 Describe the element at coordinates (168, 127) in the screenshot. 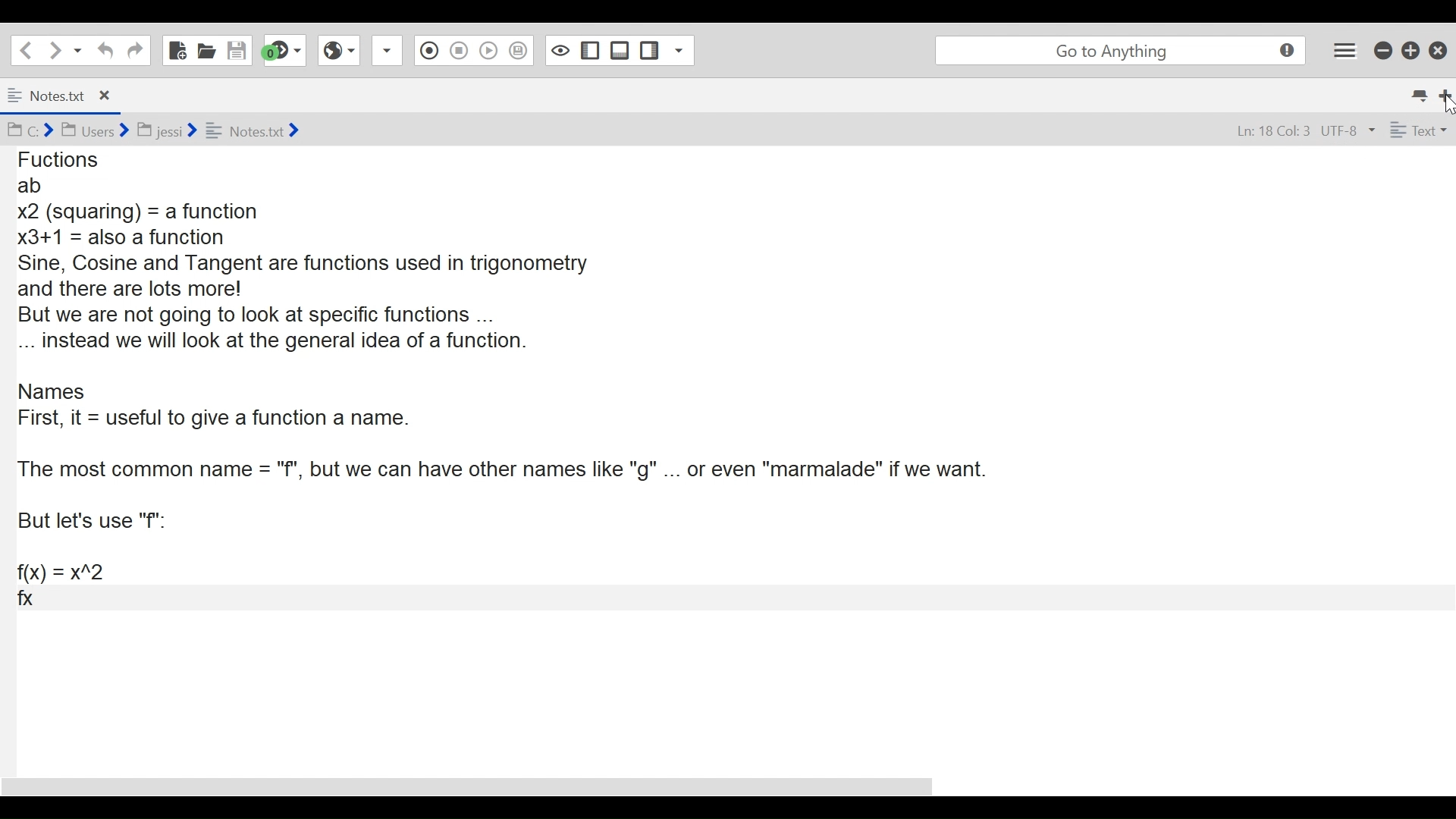

I see `jessi` at that location.